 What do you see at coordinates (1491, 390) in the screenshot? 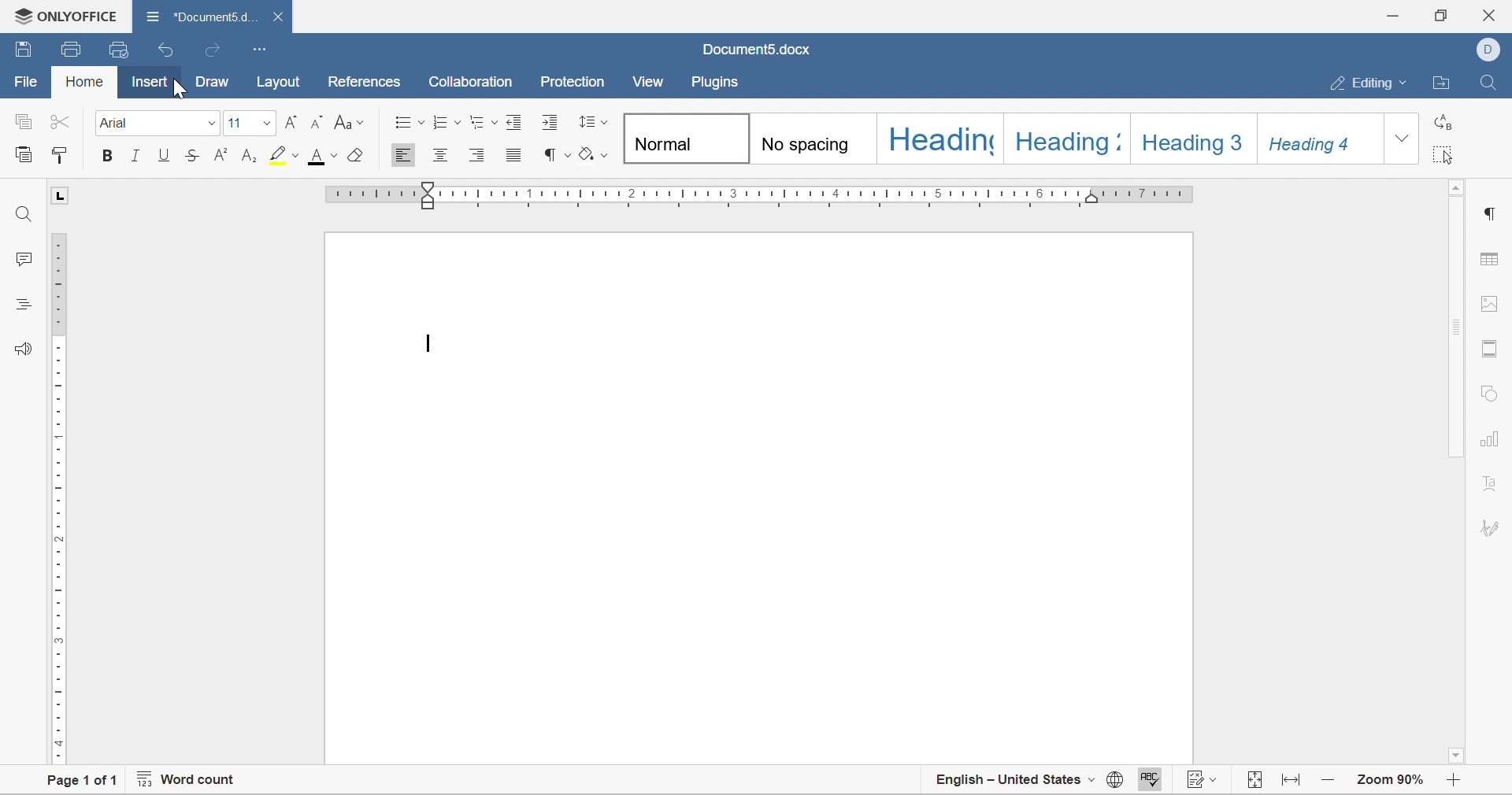
I see `shape settigns` at bounding box center [1491, 390].